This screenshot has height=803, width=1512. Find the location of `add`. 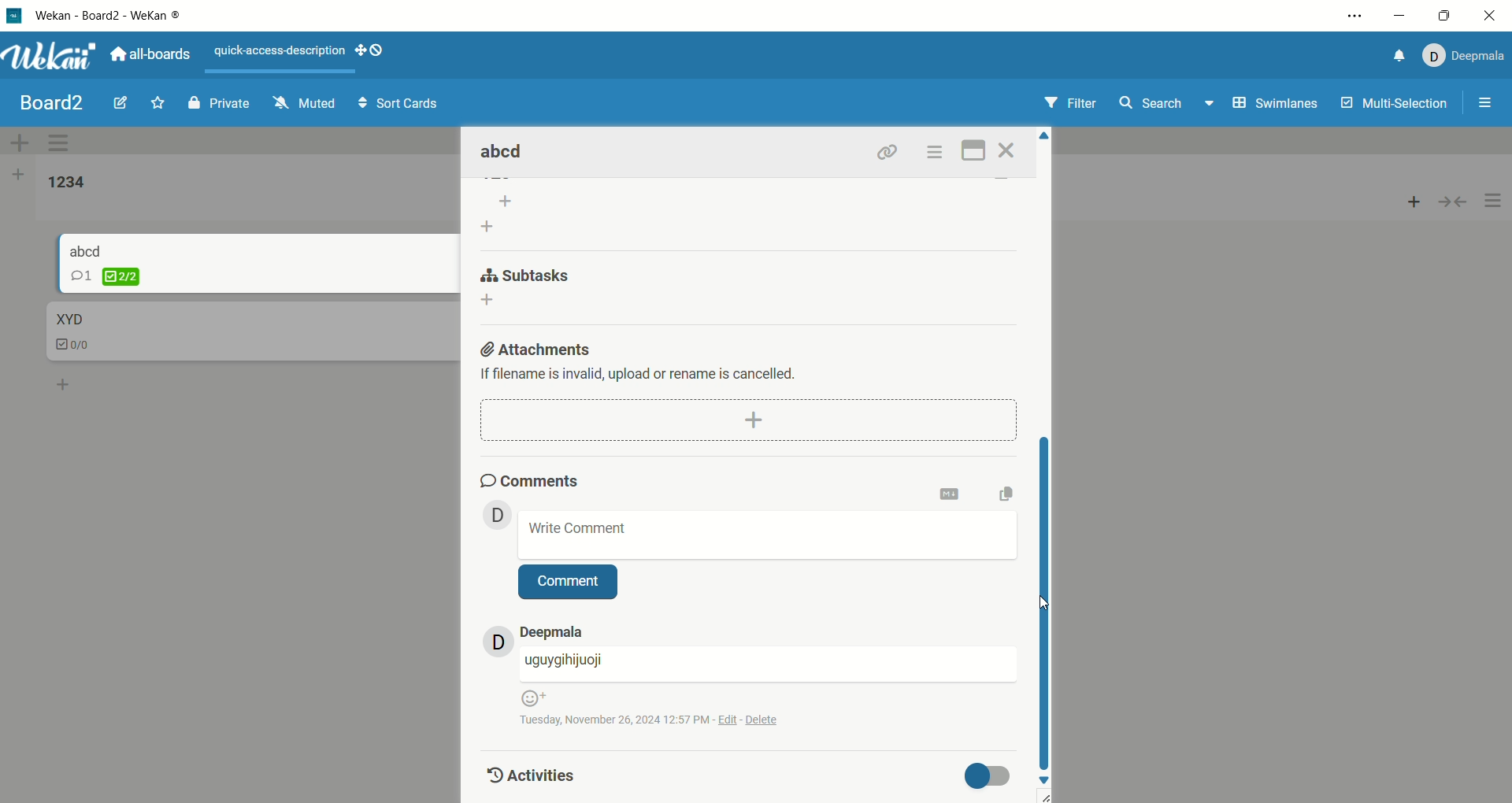

add is located at coordinates (65, 382).